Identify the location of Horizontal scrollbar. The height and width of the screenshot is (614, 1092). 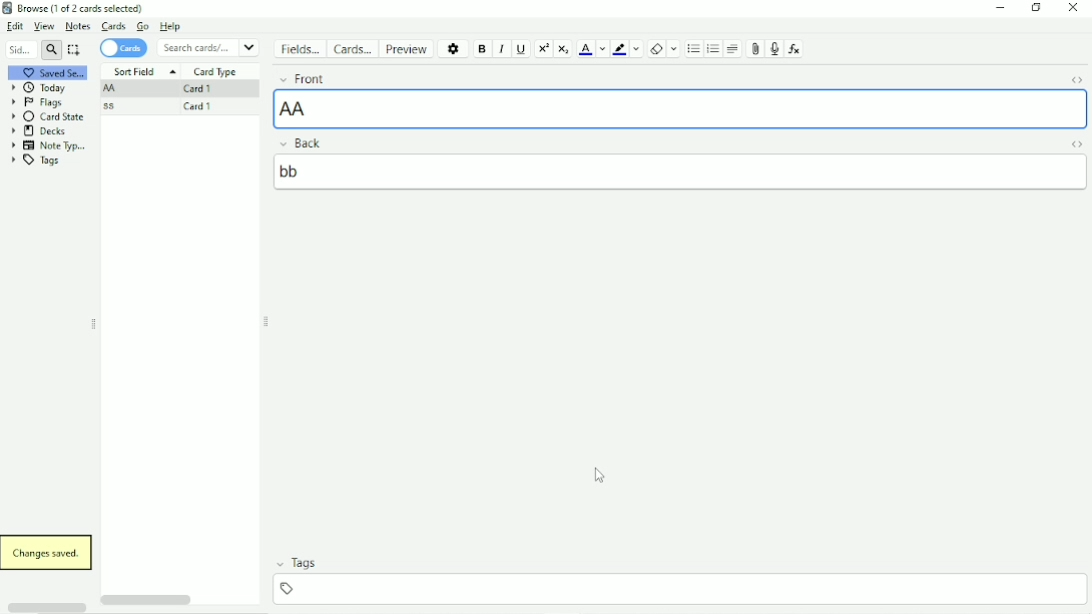
(149, 600).